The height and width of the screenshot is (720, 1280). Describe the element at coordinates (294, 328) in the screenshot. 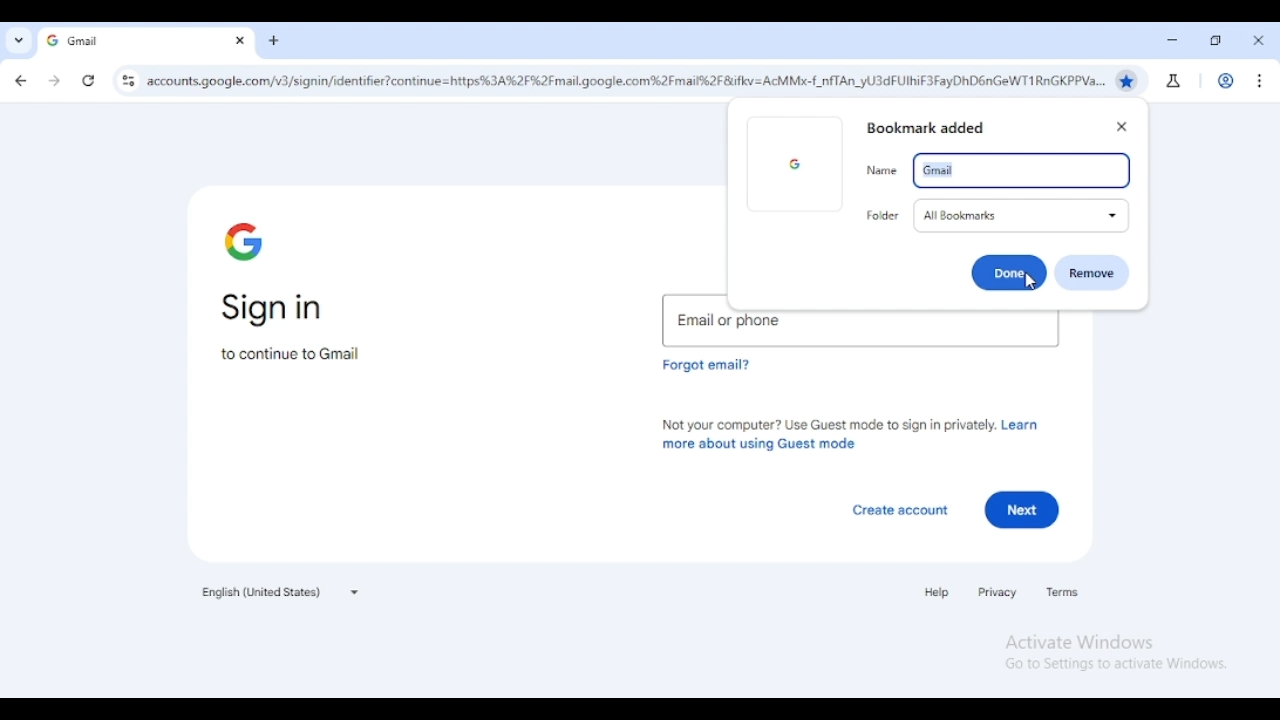

I see `sign in to continue to Gmail` at that location.